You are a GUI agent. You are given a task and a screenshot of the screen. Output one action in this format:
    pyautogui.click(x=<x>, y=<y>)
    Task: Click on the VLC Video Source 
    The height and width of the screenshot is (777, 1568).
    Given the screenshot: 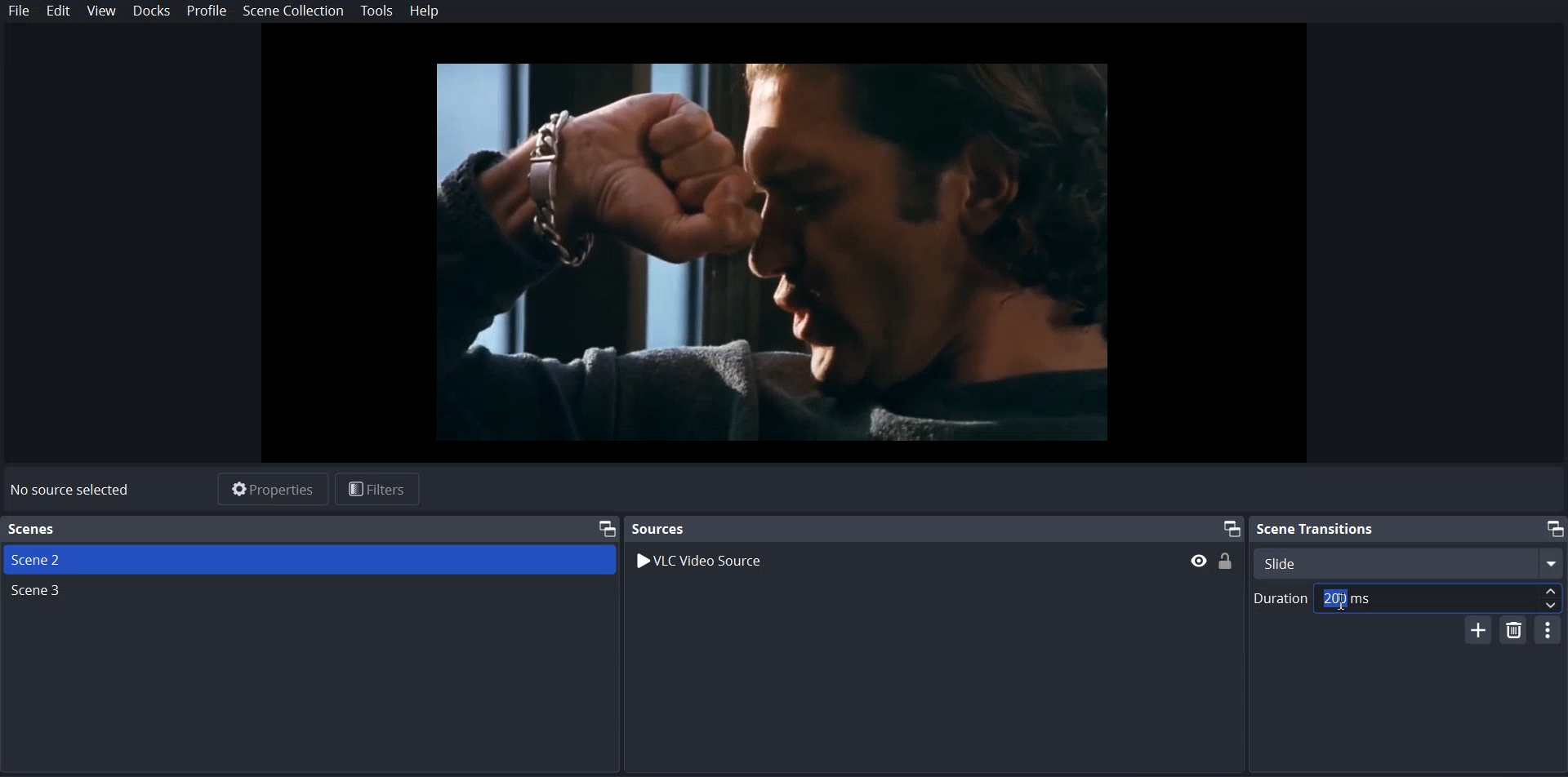 What is the action you would take?
    pyautogui.click(x=704, y=563)
    